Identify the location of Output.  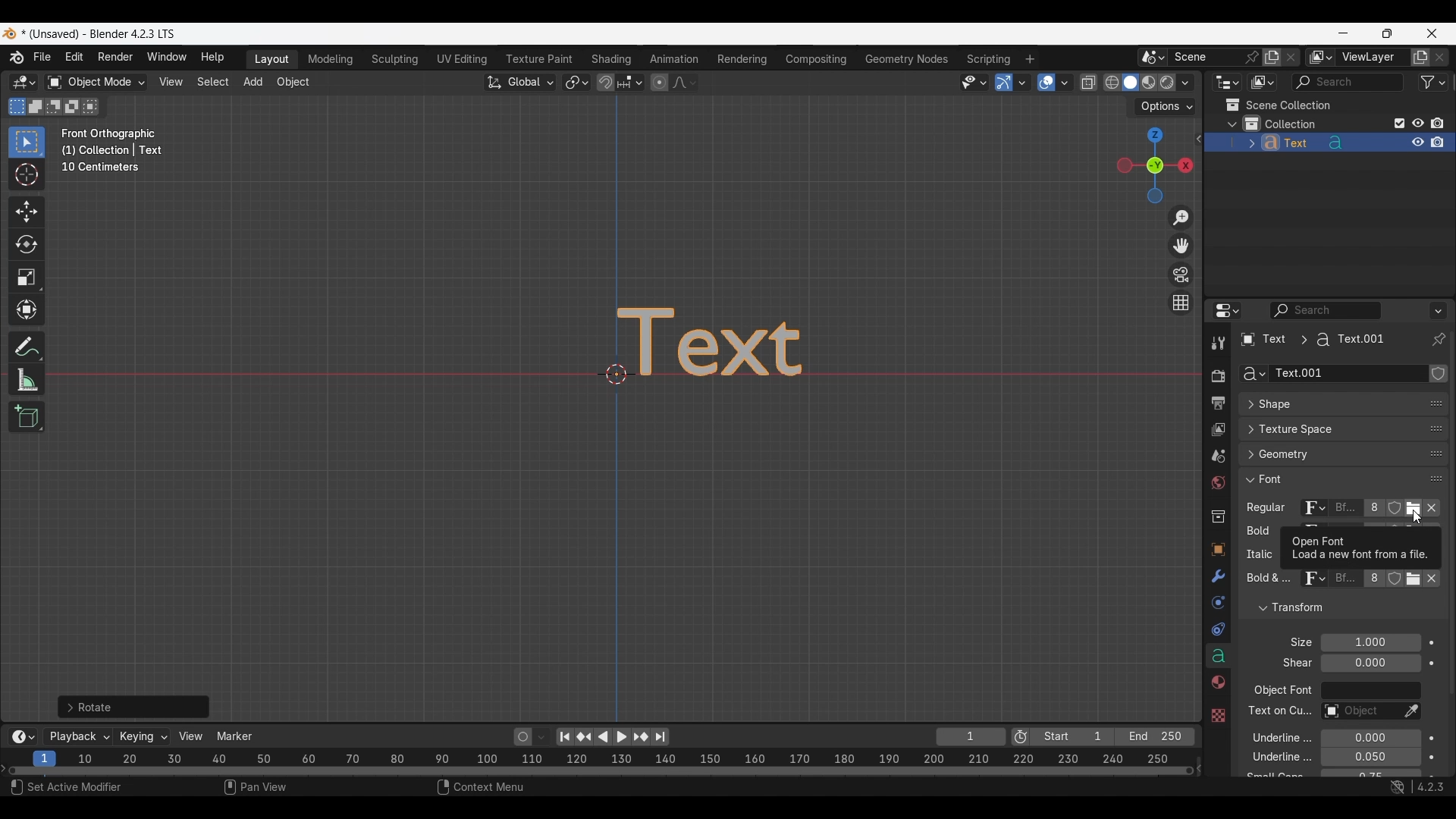
(1217, 403).